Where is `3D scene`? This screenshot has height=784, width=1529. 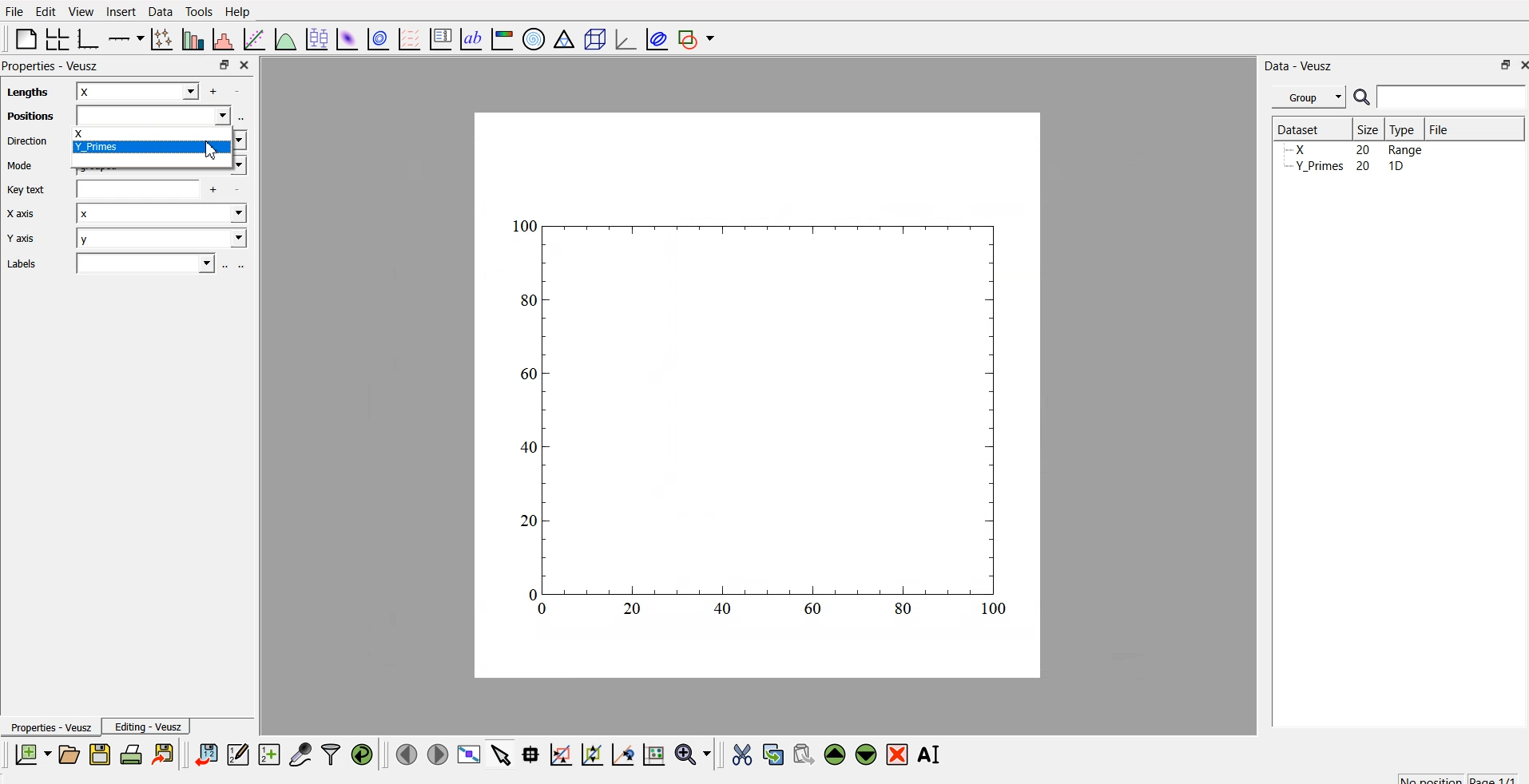
3D scene is located at coordinates (595, 41).